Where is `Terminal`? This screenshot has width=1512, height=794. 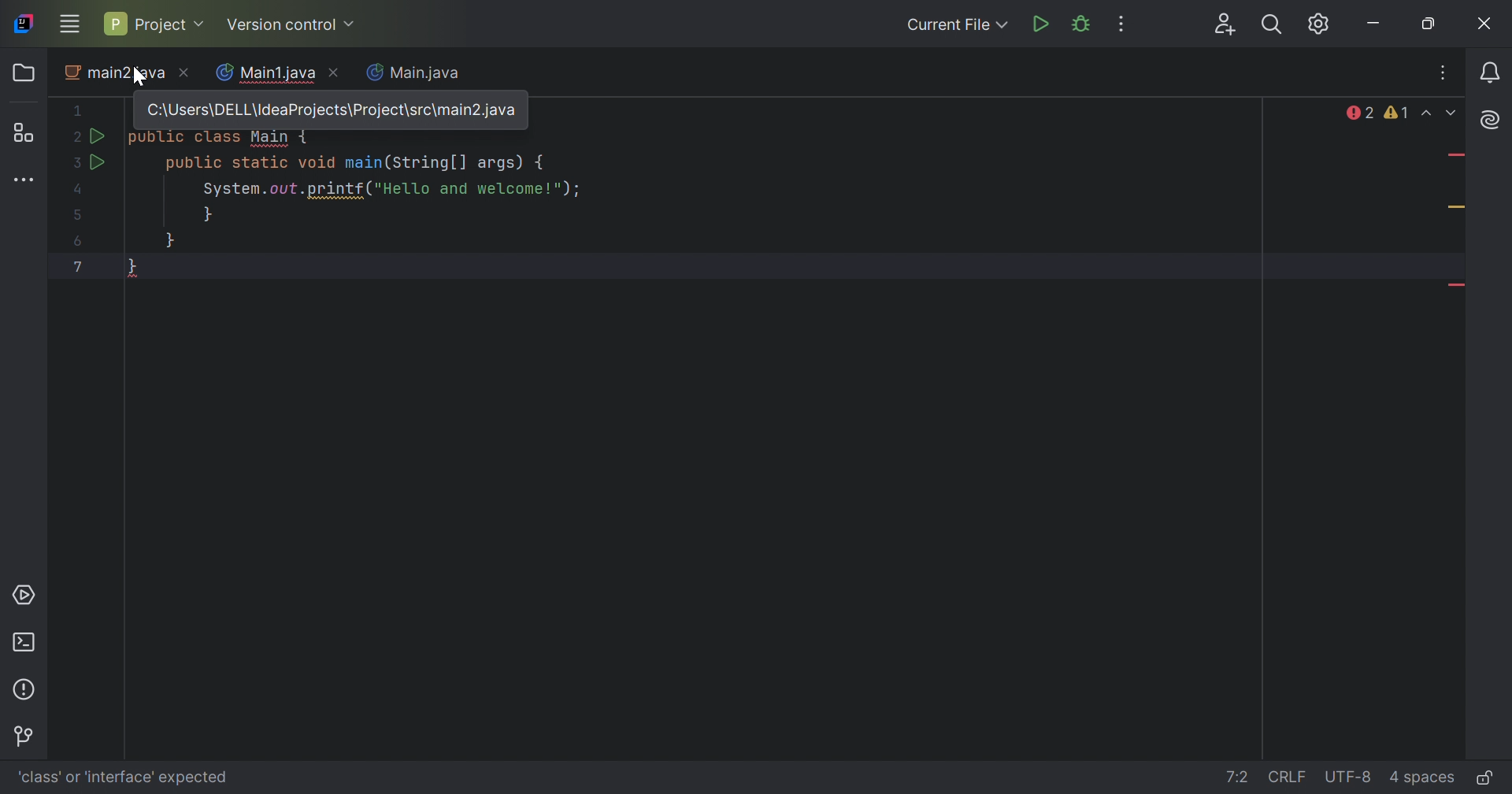
Terminal is located at coordinates (26, 642).